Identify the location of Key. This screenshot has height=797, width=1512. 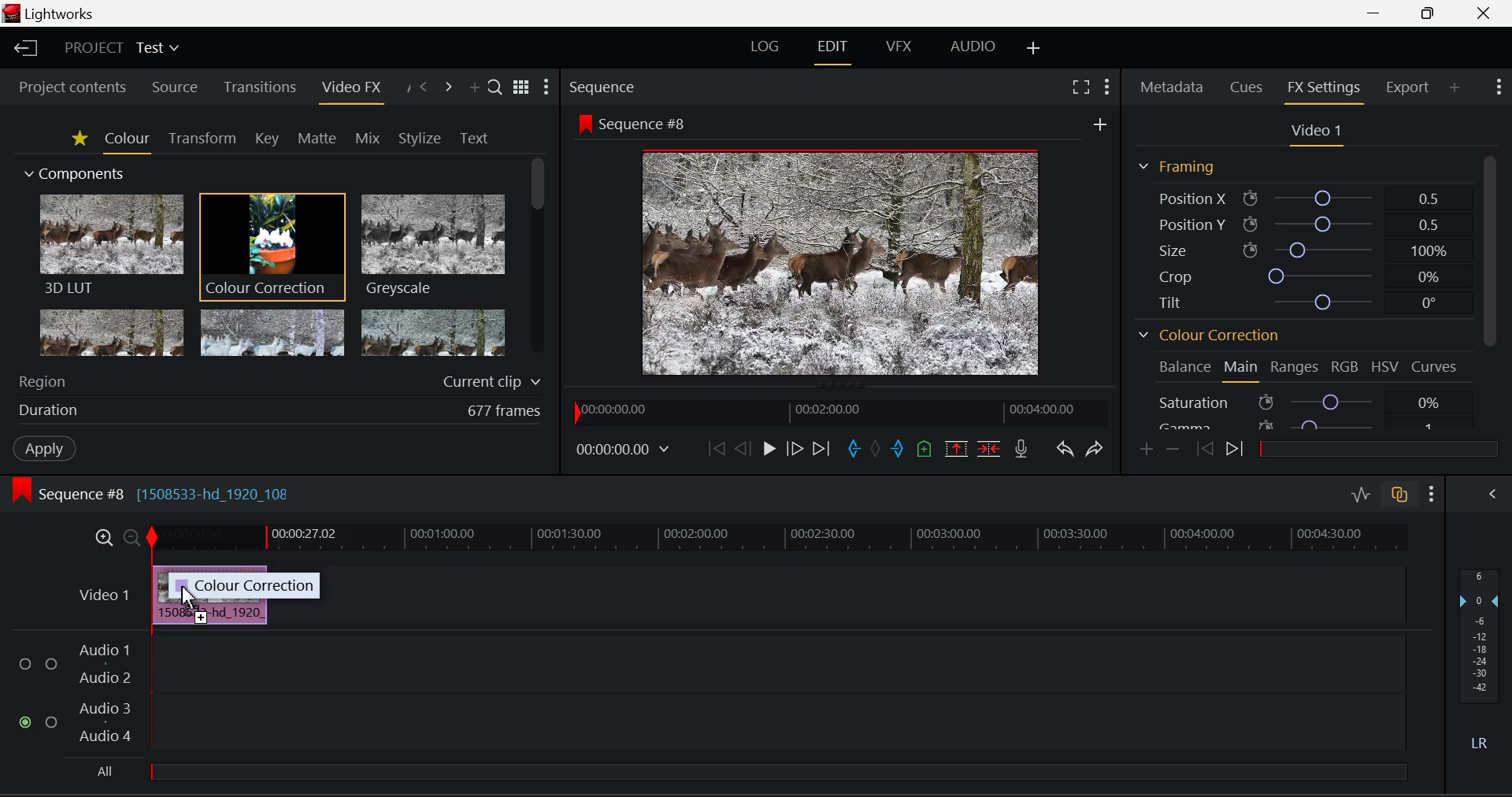
(268, 139).